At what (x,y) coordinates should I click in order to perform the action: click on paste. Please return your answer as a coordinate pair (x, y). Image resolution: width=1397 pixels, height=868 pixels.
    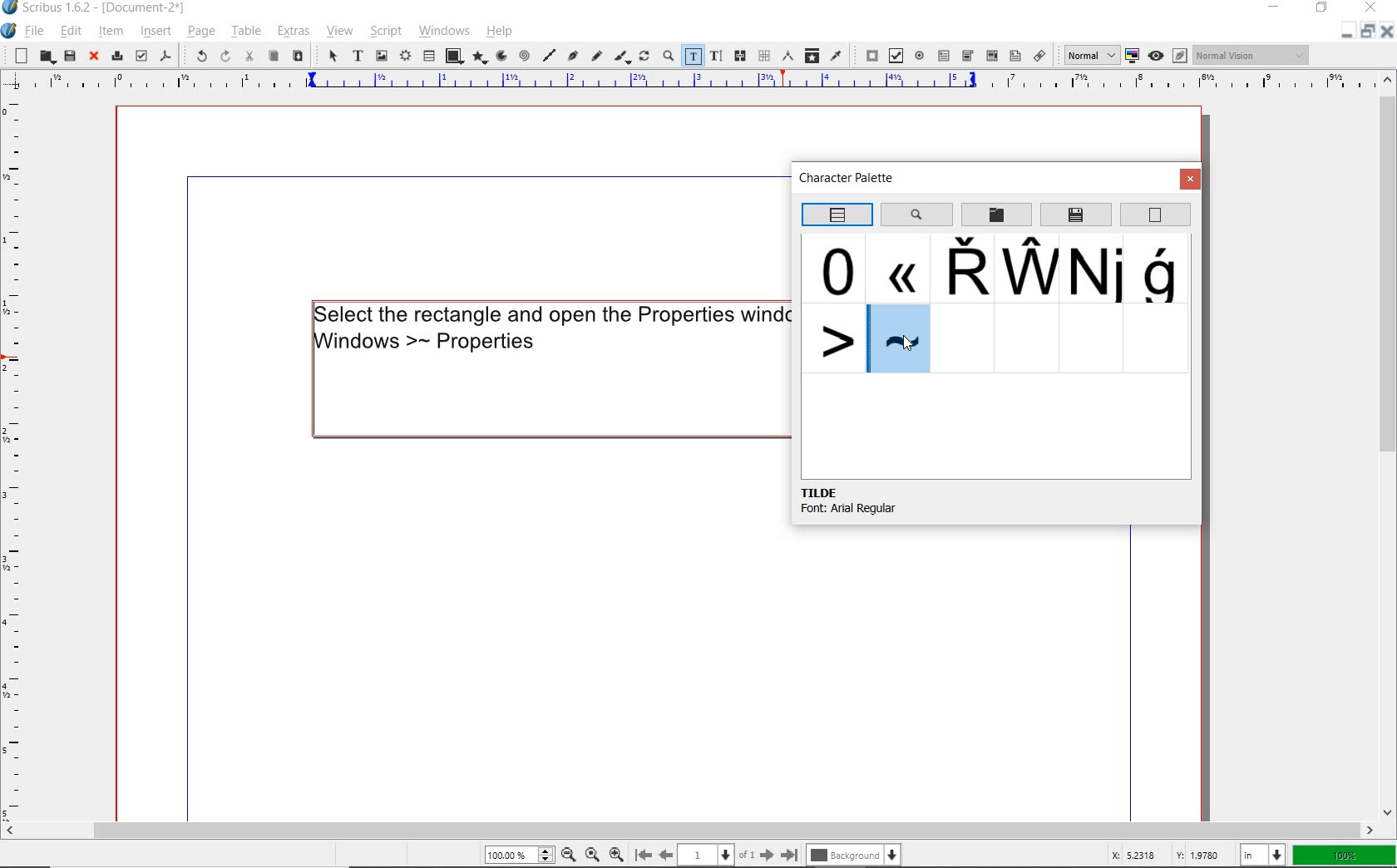
    Looking at the image, I should click on (299, 57).